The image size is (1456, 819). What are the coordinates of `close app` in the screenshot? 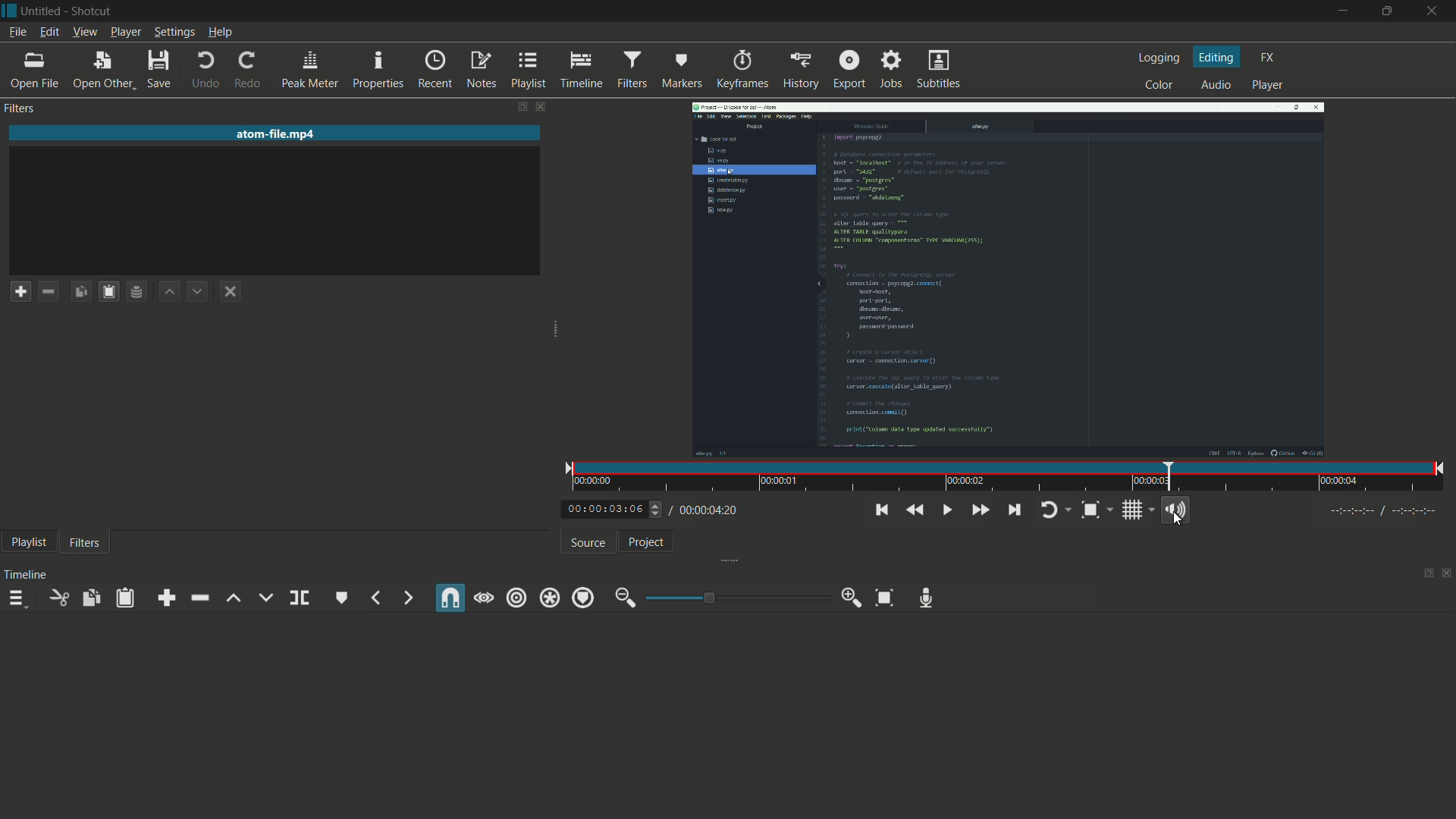 It's located at (1433, 11).